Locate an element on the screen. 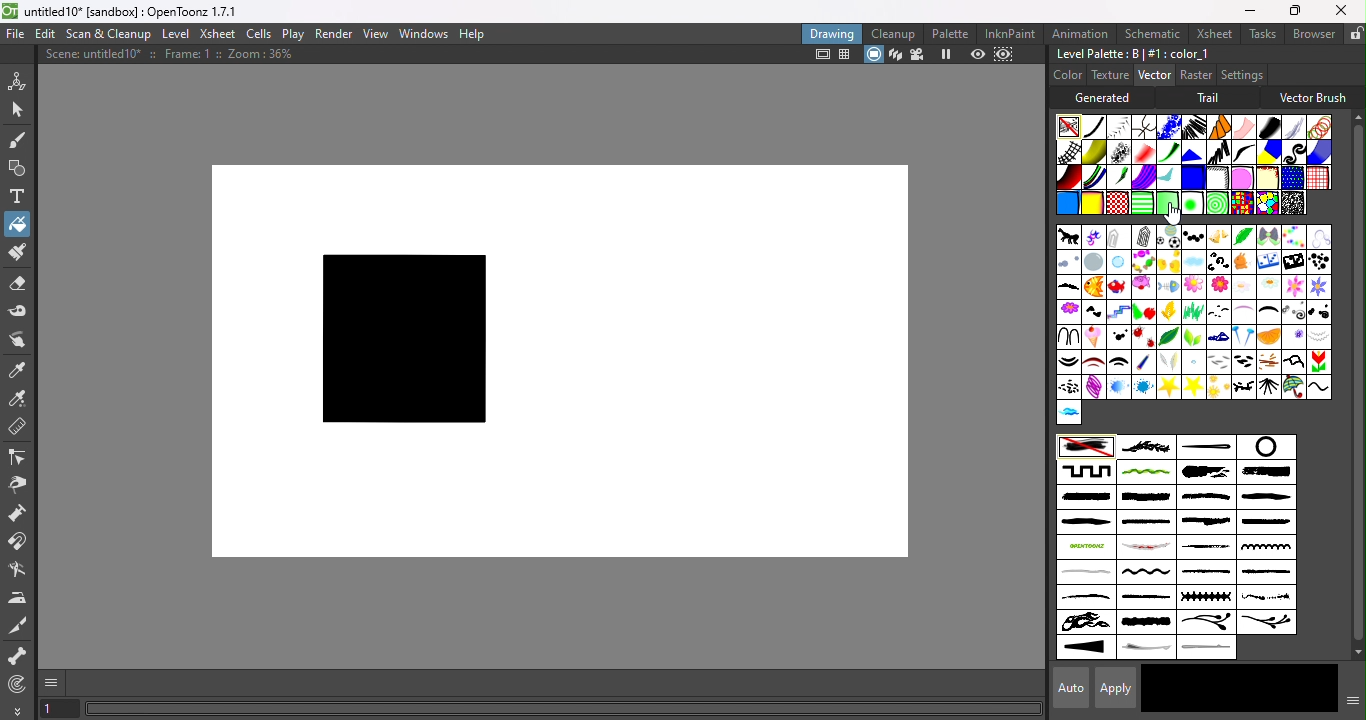  big_ is located at coordinates (1243, 236).